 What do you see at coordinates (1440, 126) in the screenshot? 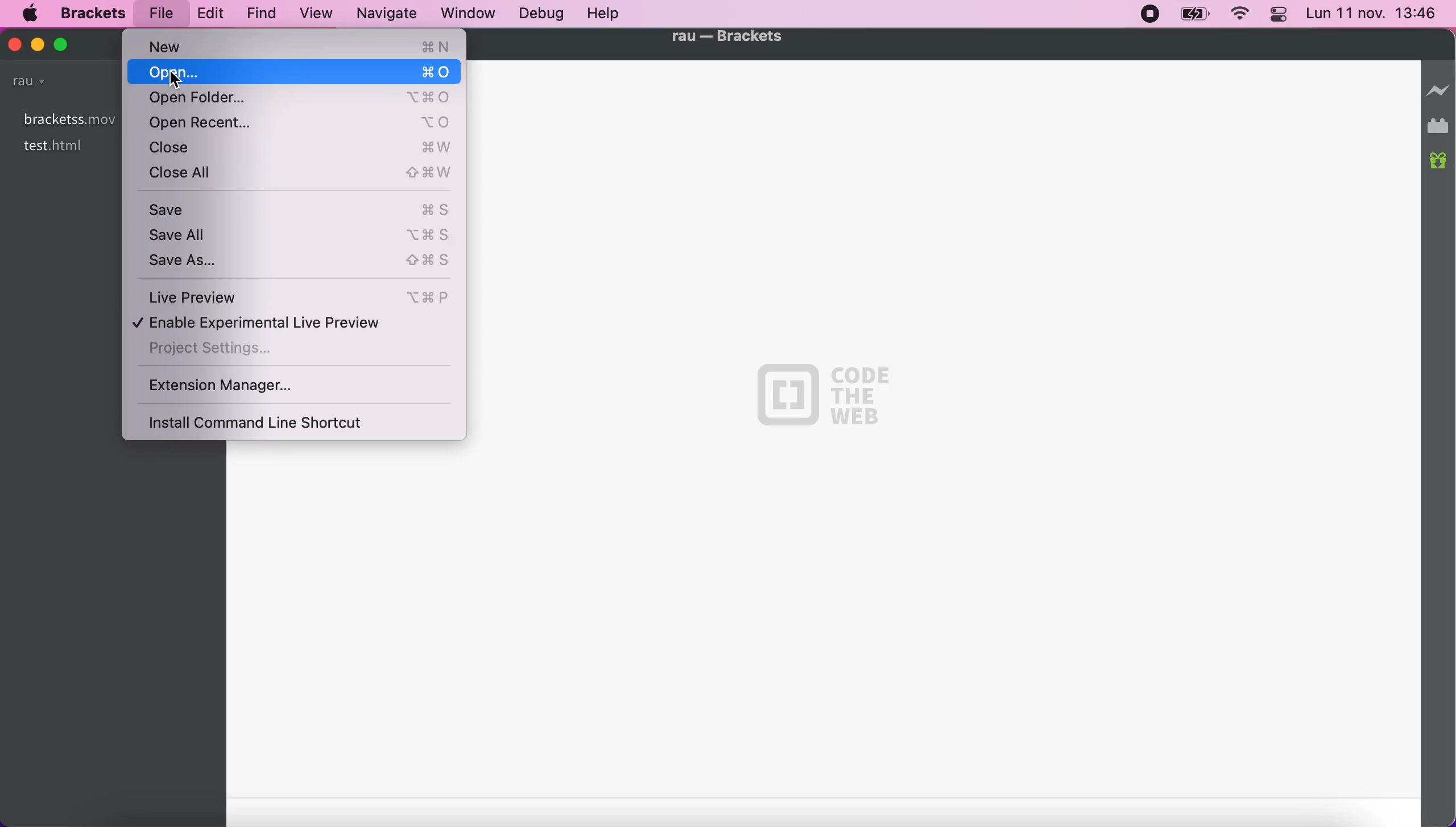
I see `extension manager` at bounding box center [1440, 126].